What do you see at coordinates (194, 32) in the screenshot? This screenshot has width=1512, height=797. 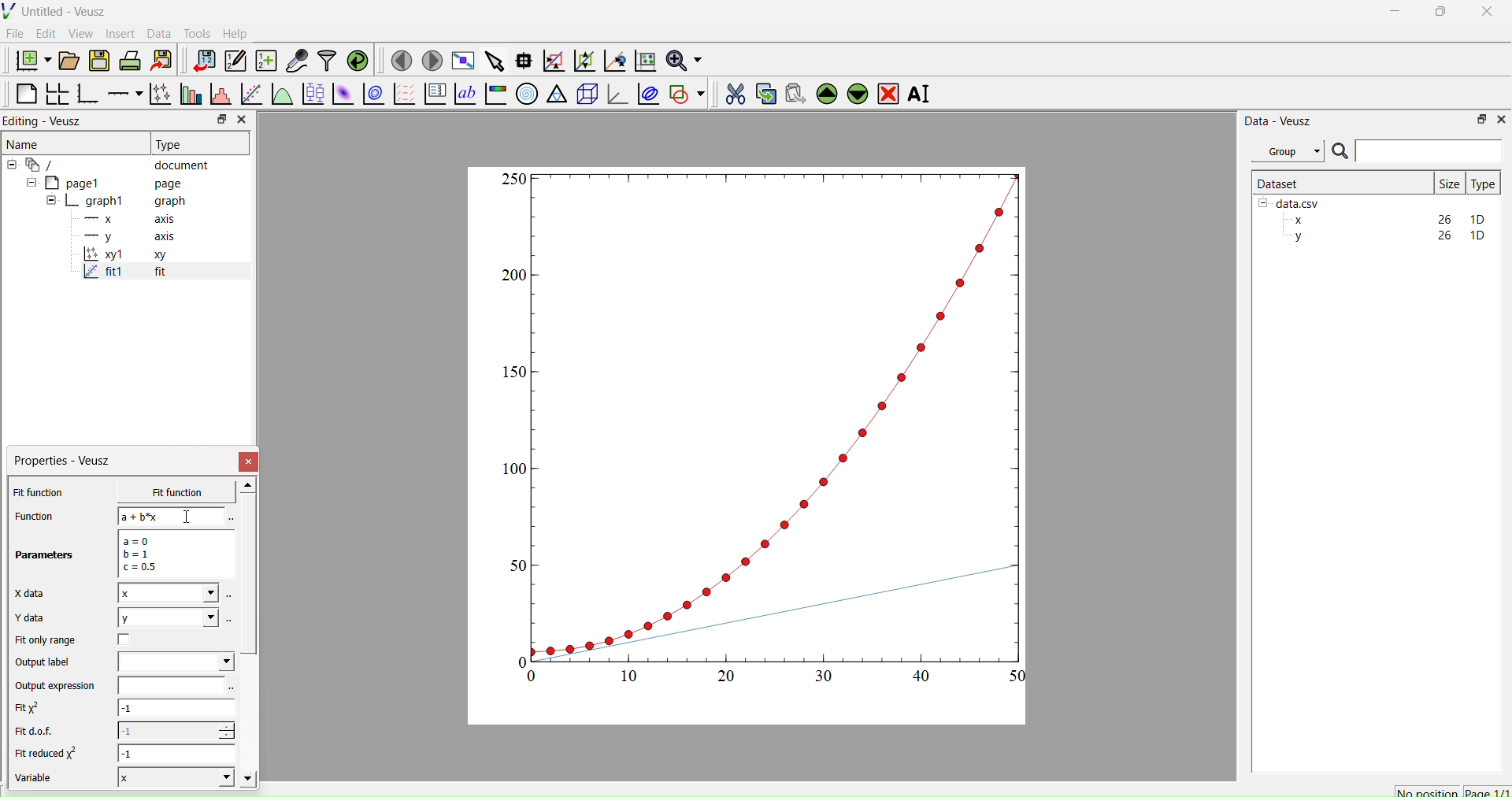 I see `Tools` at bounding box center [194, 32].